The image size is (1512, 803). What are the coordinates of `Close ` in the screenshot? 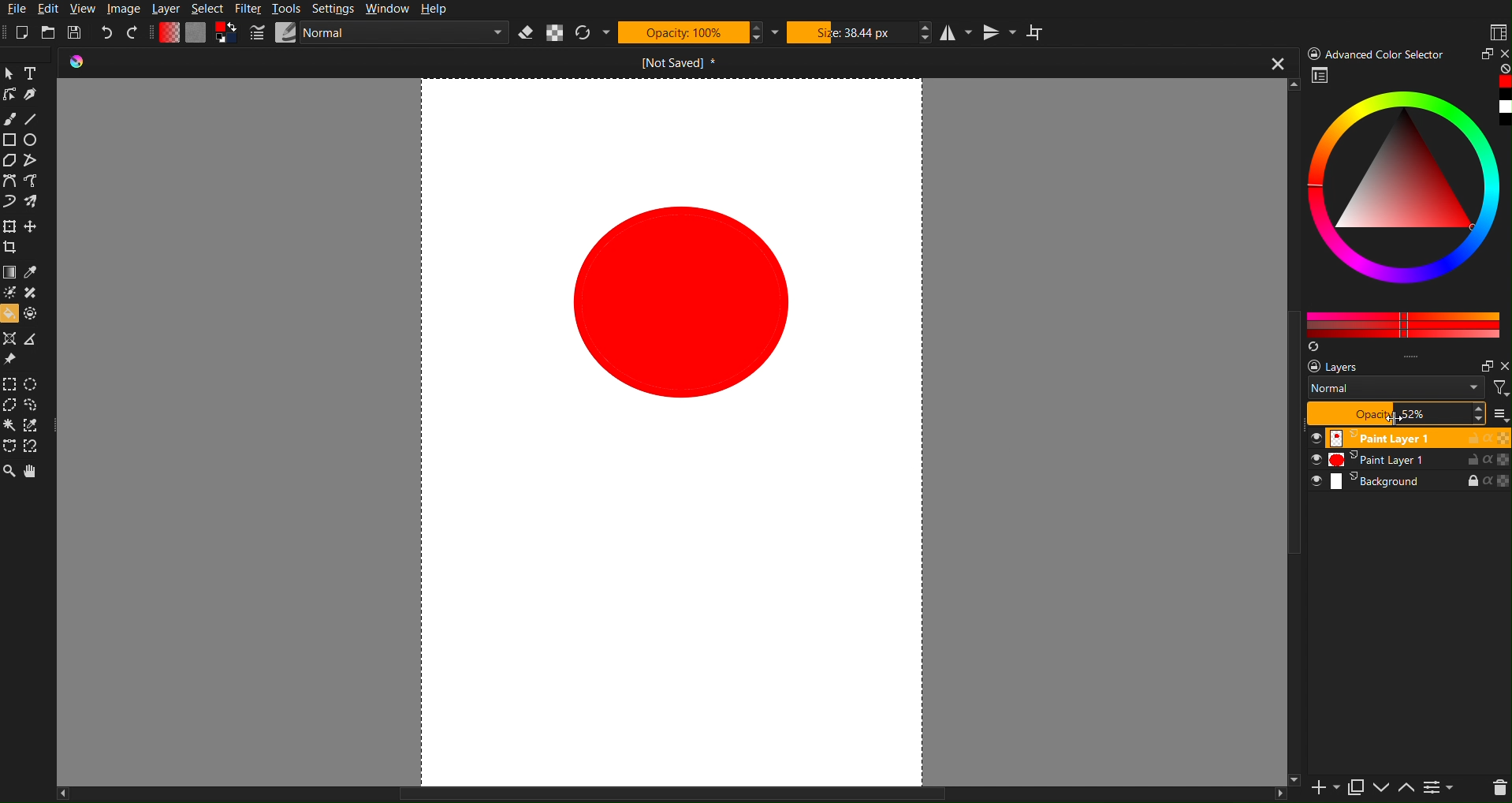 It's located at (1503, 54).